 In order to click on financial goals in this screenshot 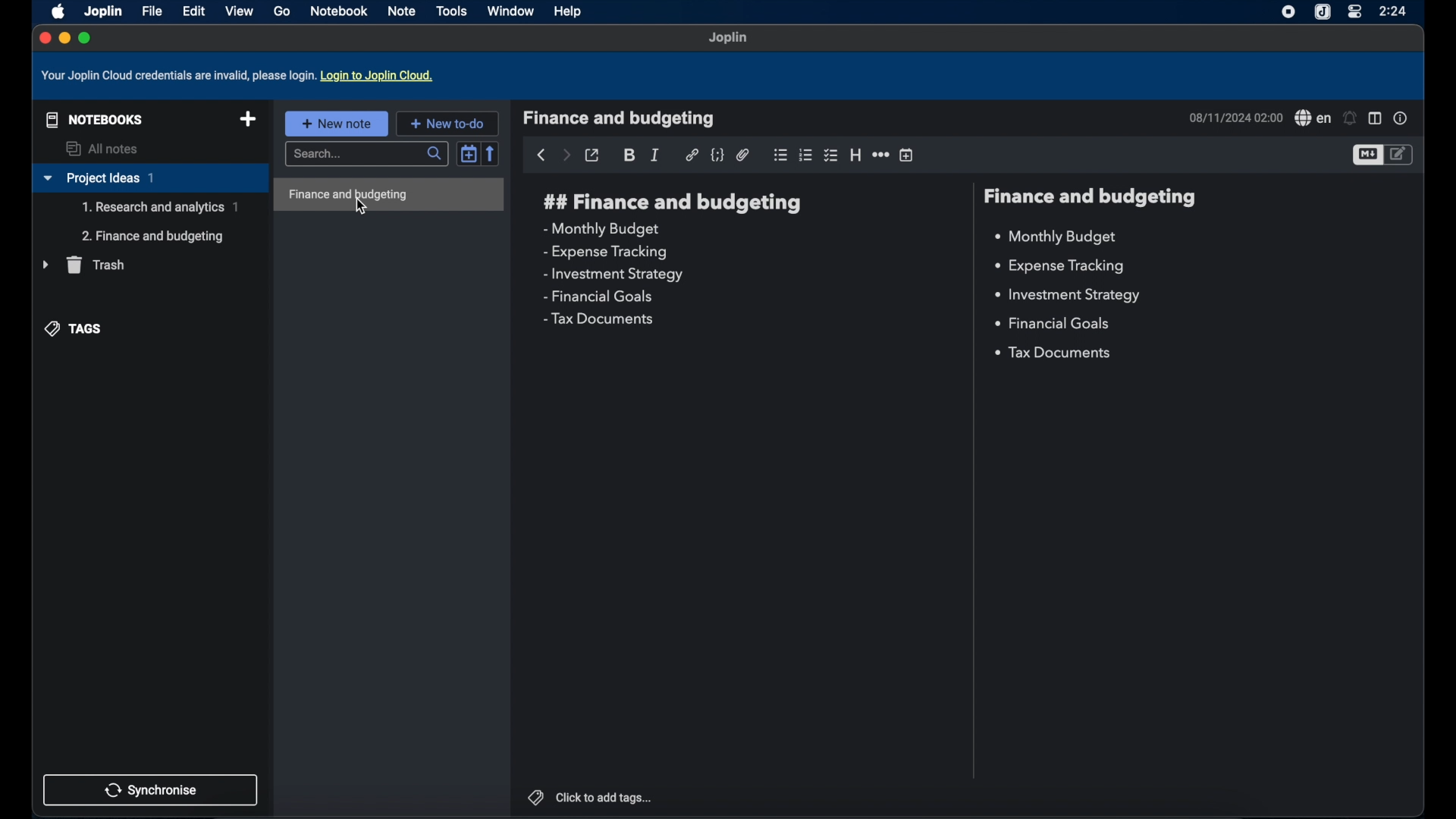, I will do `click(1052, 322)`.